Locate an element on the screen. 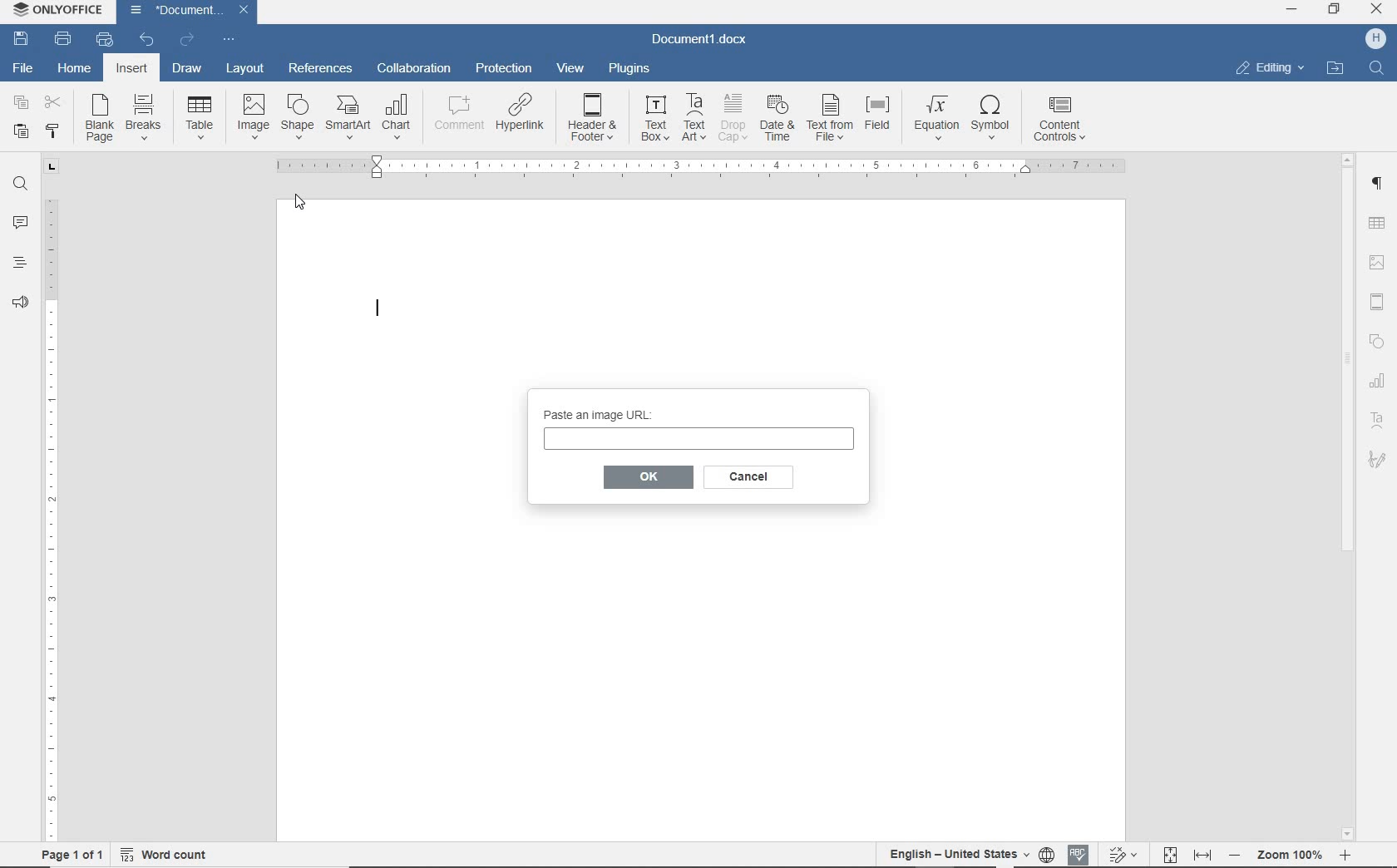 The image size is (1397, 868). image is located at coordinates (253, 112).